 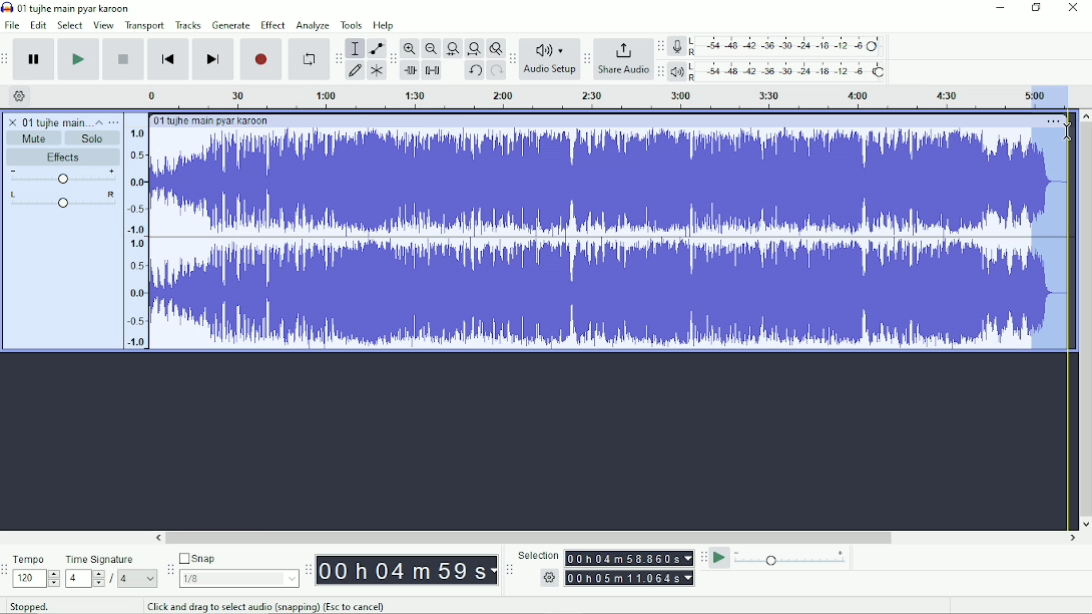 I want to click on 120, so click(x=37, y=578).